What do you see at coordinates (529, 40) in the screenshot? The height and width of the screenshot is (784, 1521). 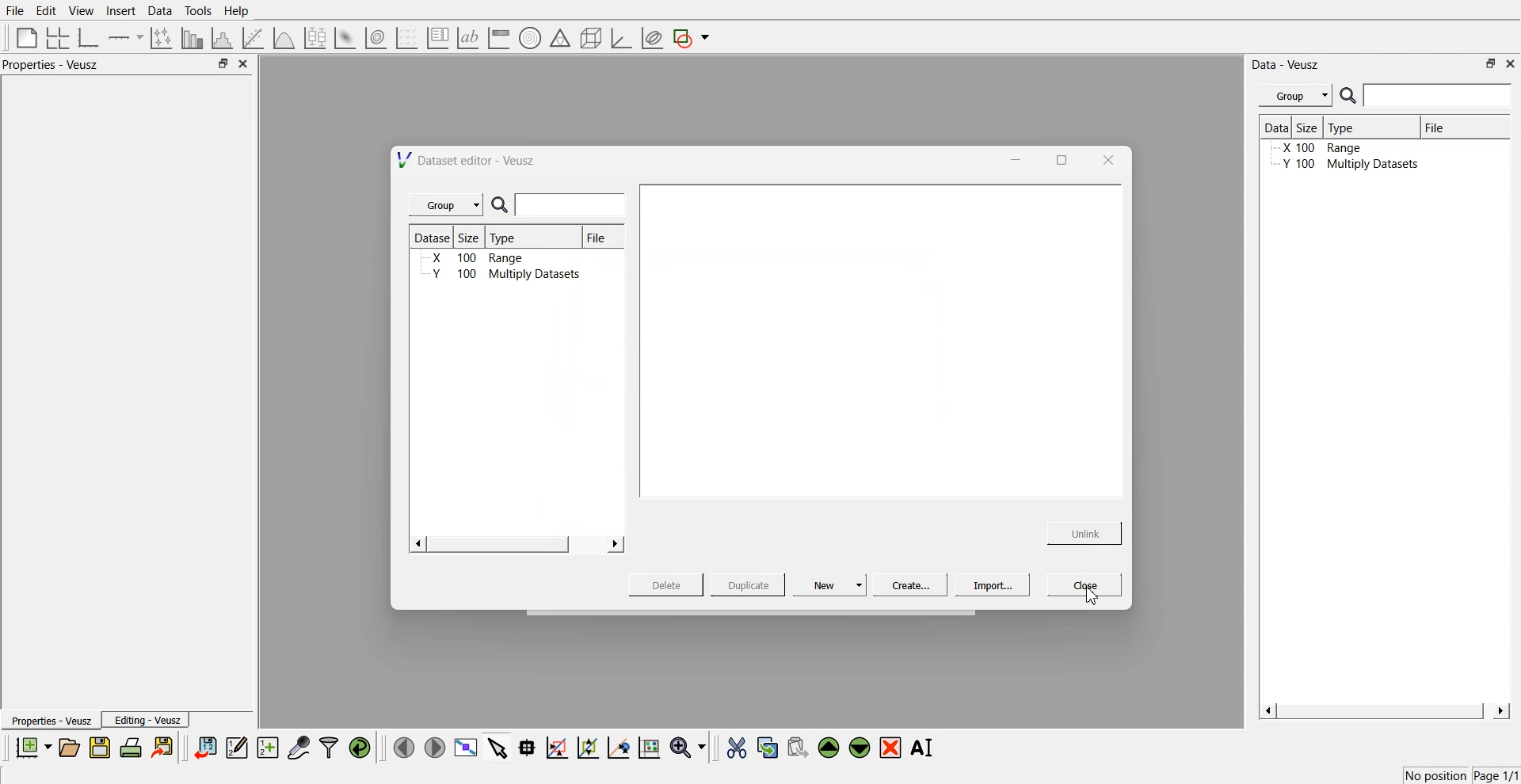 I see `polar graph` at bounding box center [529, 40].